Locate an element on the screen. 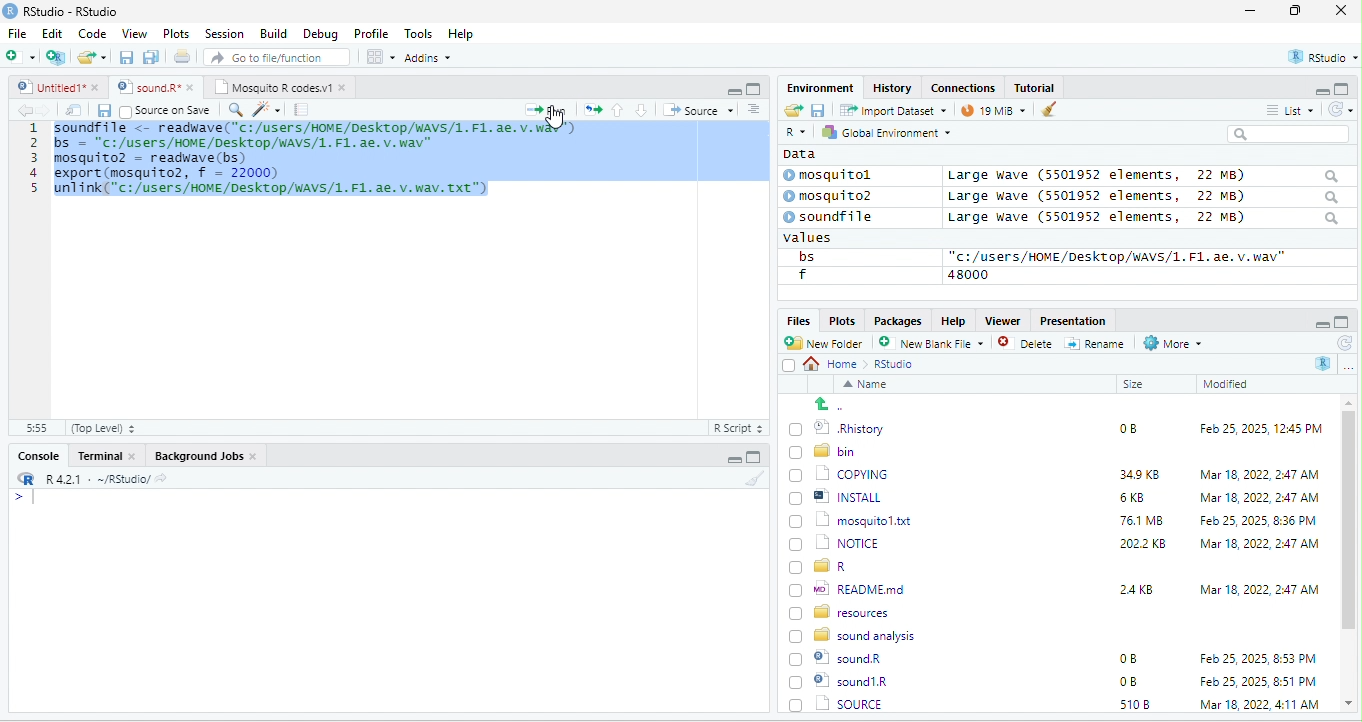 The image size is (1362, 722). Files is located at coordinates (795, 320).